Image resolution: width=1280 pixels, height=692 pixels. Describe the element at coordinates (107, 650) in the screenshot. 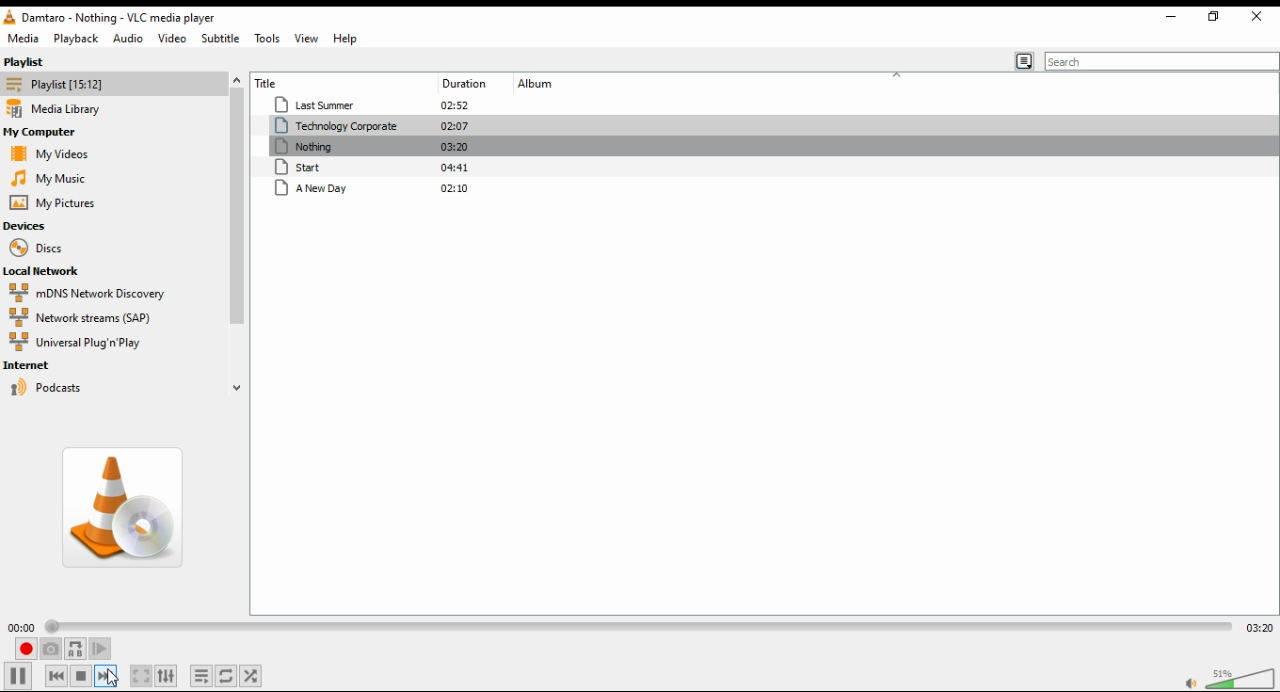

I see `frame by frame` at that location.